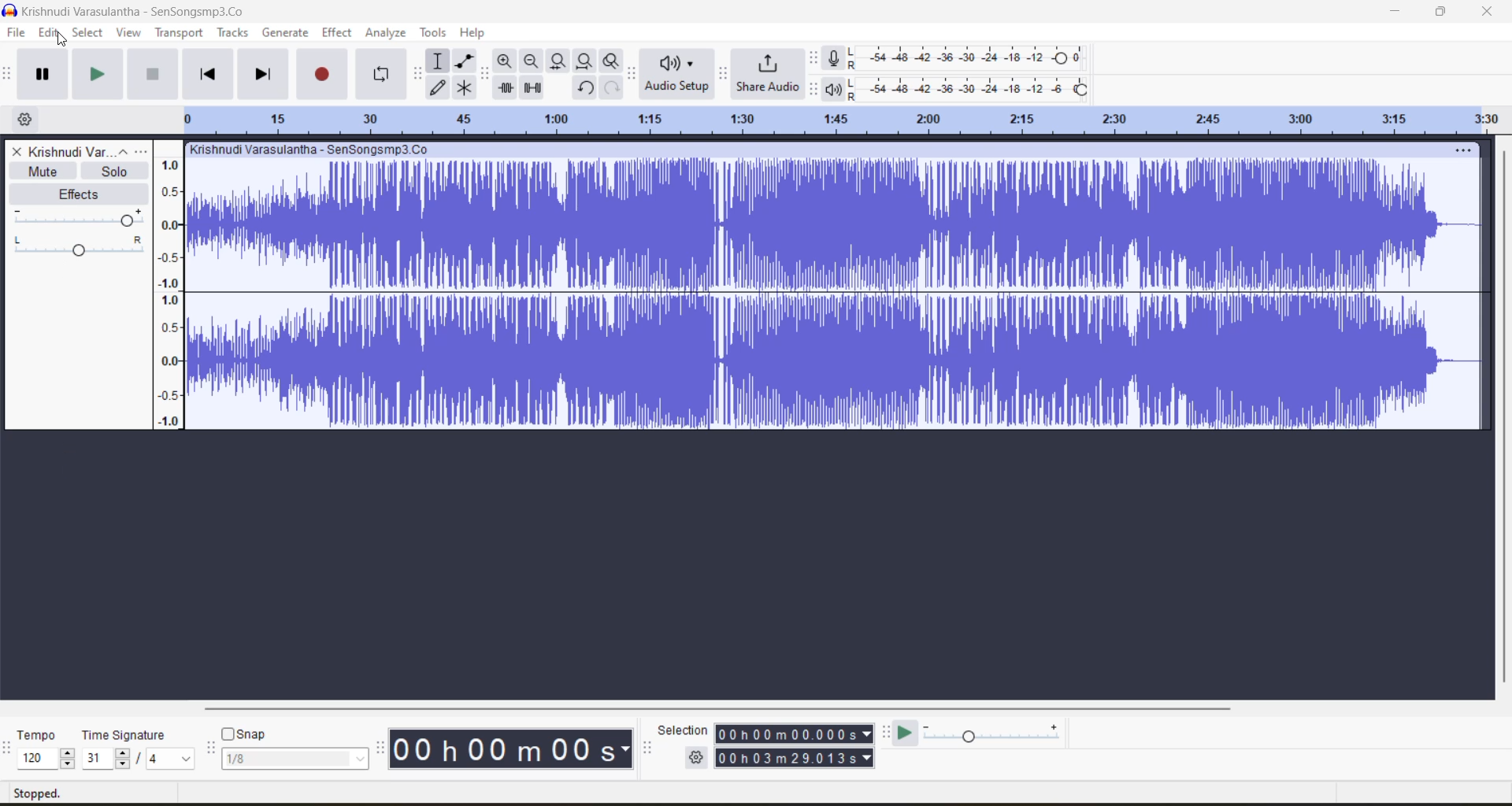 This screenshot has width=1512, height=806. What do you see at coordinates (83, 194) in the screenshot?
I see `effects` at bounding box center [83, 194].